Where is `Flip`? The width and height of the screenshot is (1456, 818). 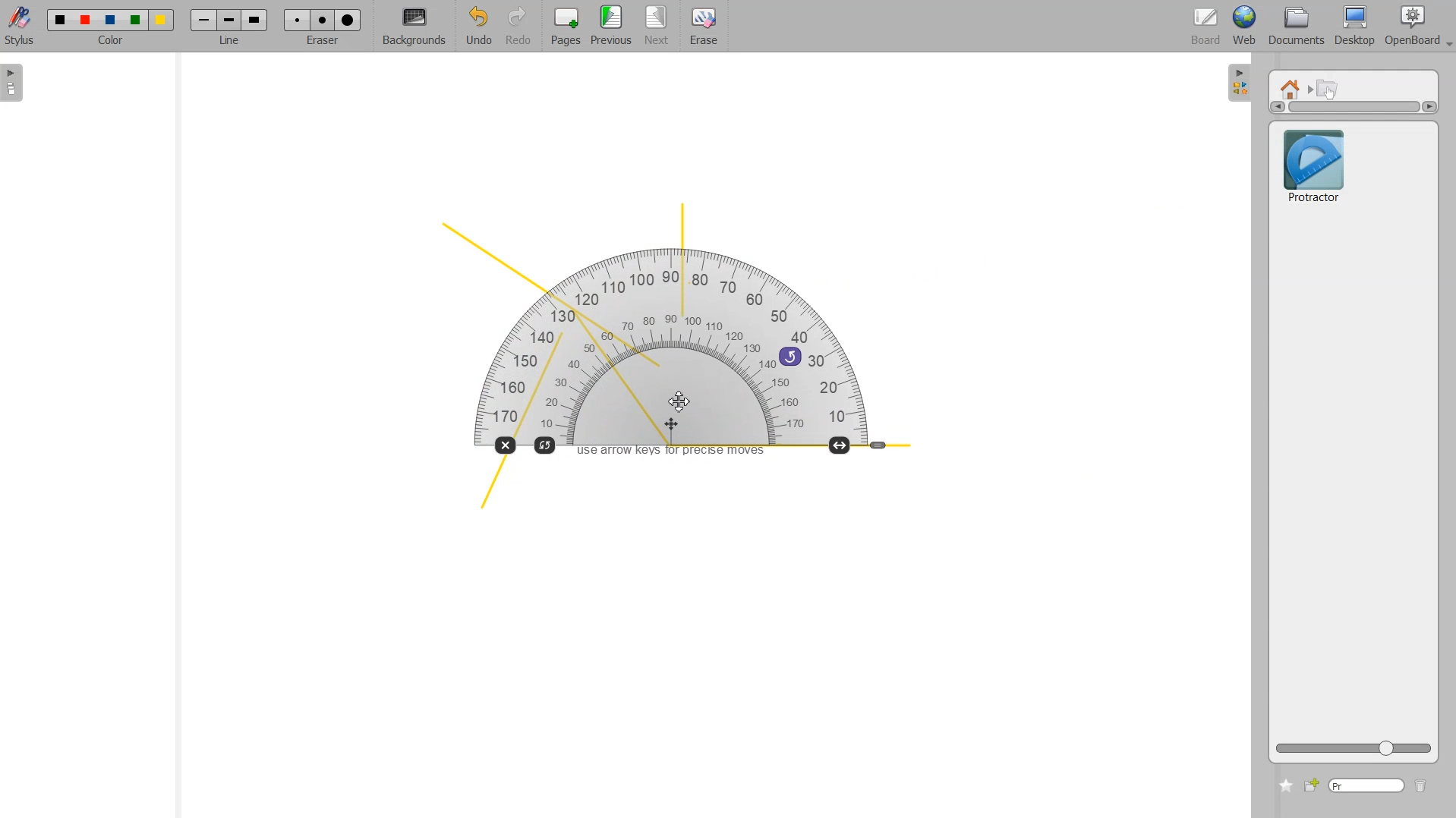 Flip is located at coordinates (546, 444).